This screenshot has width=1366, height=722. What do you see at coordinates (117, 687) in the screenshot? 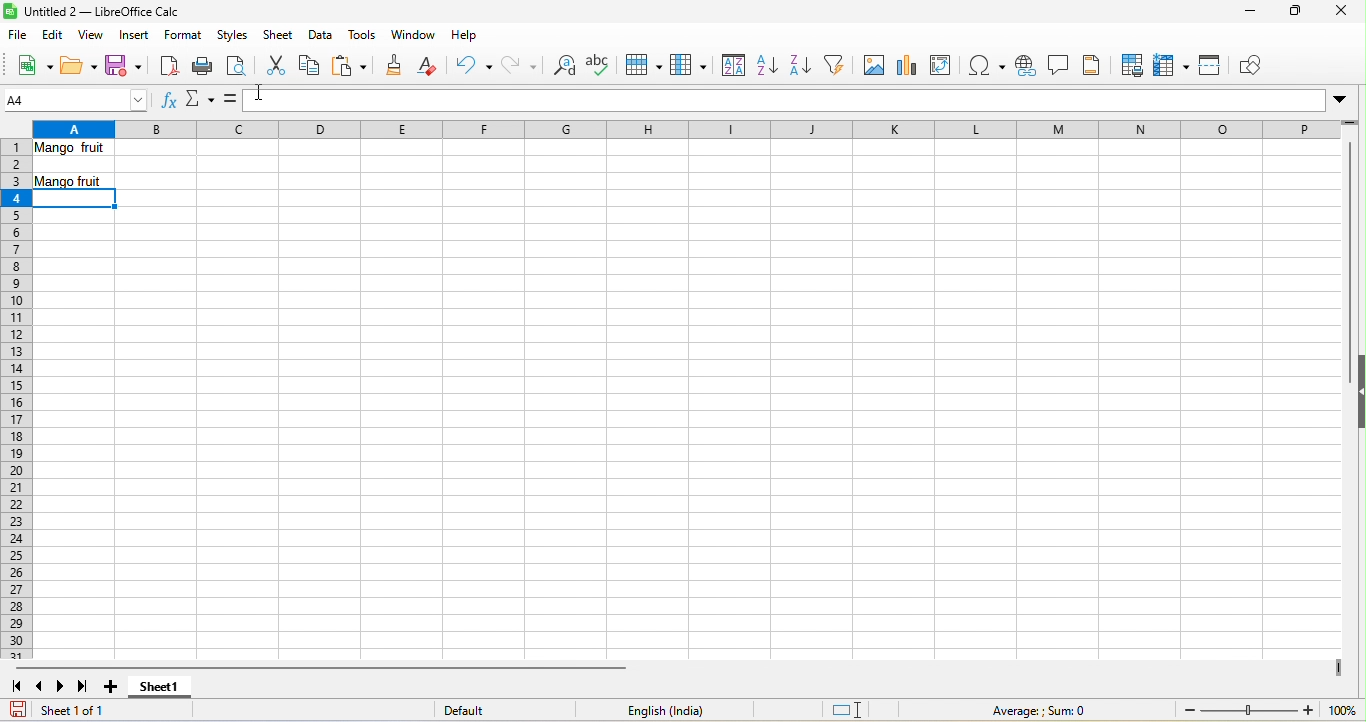
I see `add sheet` at bounding box center [117, 687].